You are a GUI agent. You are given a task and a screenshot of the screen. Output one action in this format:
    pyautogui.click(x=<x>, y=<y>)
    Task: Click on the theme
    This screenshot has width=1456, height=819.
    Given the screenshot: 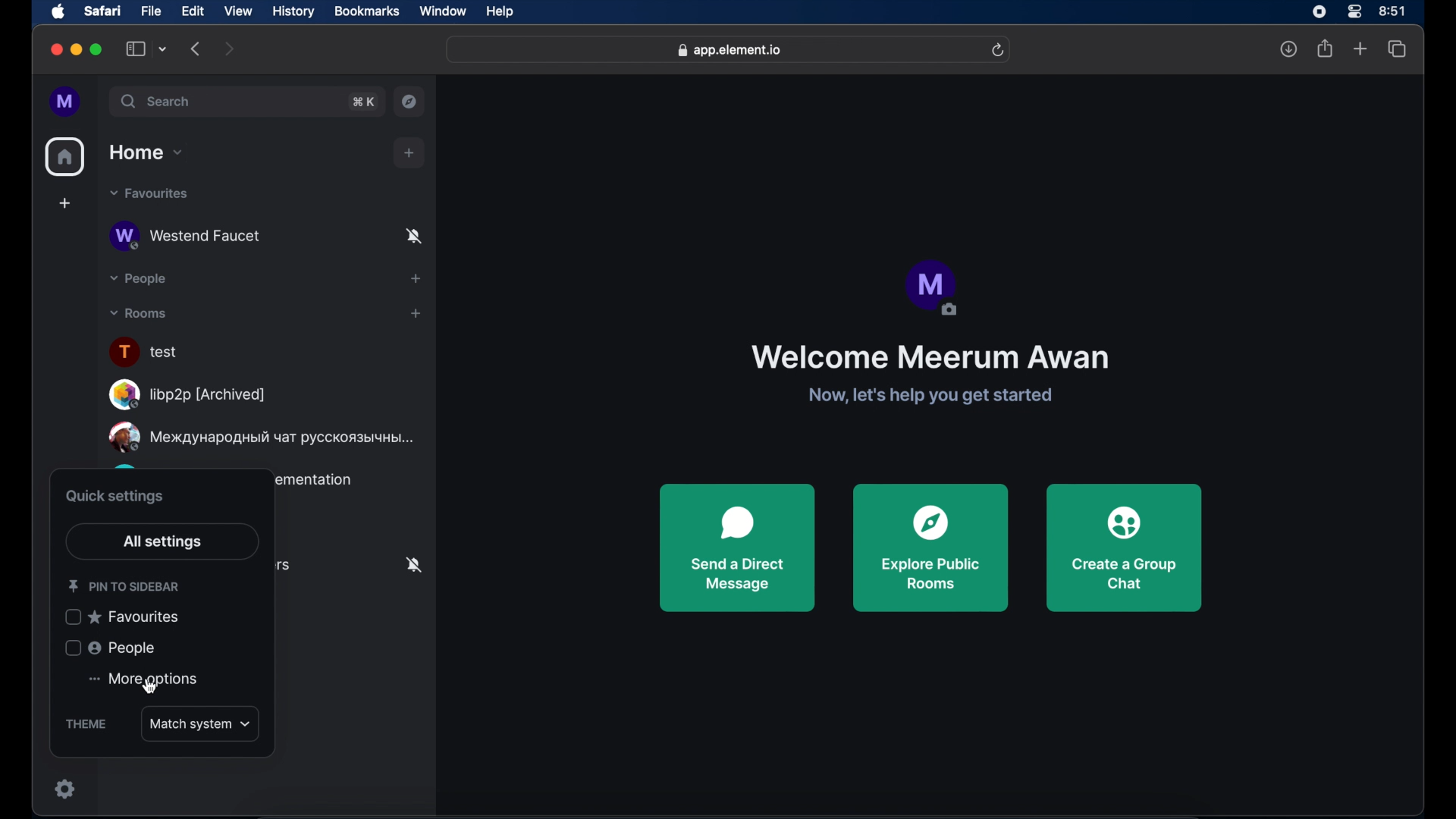 What is the action you would take?
    pyautogui.click(x=86, y=724)
    